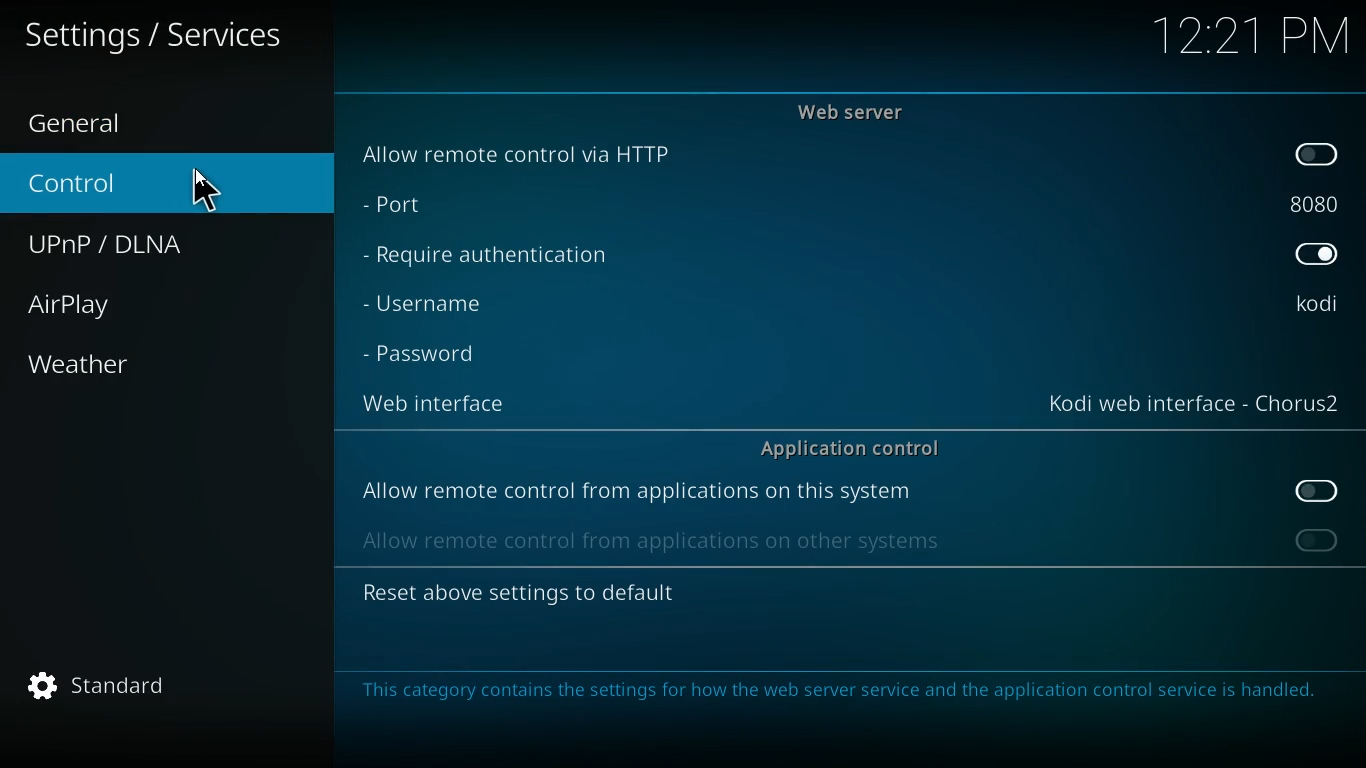 The image size is (1366, 768). Describe the element at coordinates (394, 204) in the screenshot. I see `port` at that location.